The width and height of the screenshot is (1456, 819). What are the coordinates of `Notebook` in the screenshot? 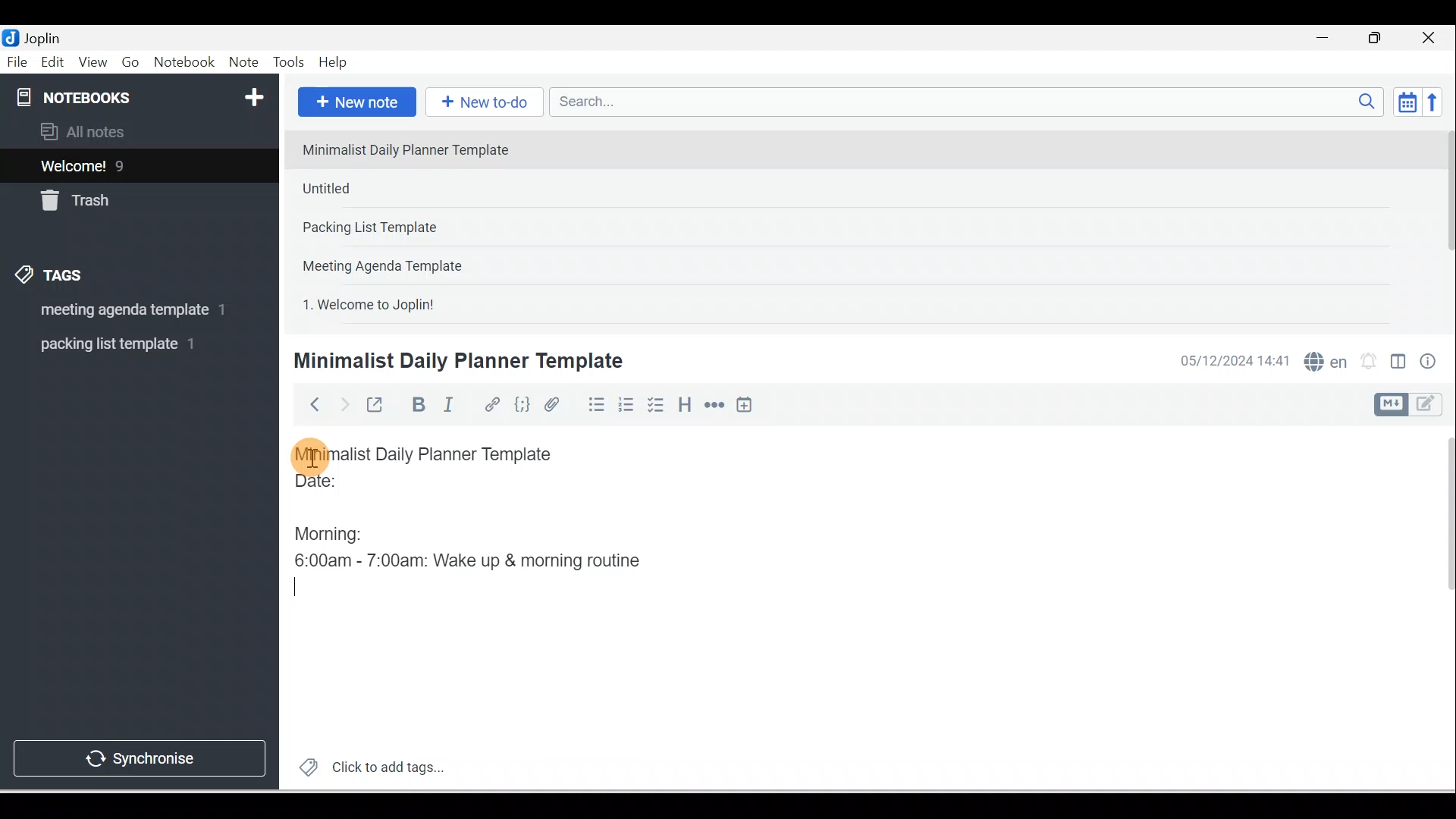 It's located at (184, 63).